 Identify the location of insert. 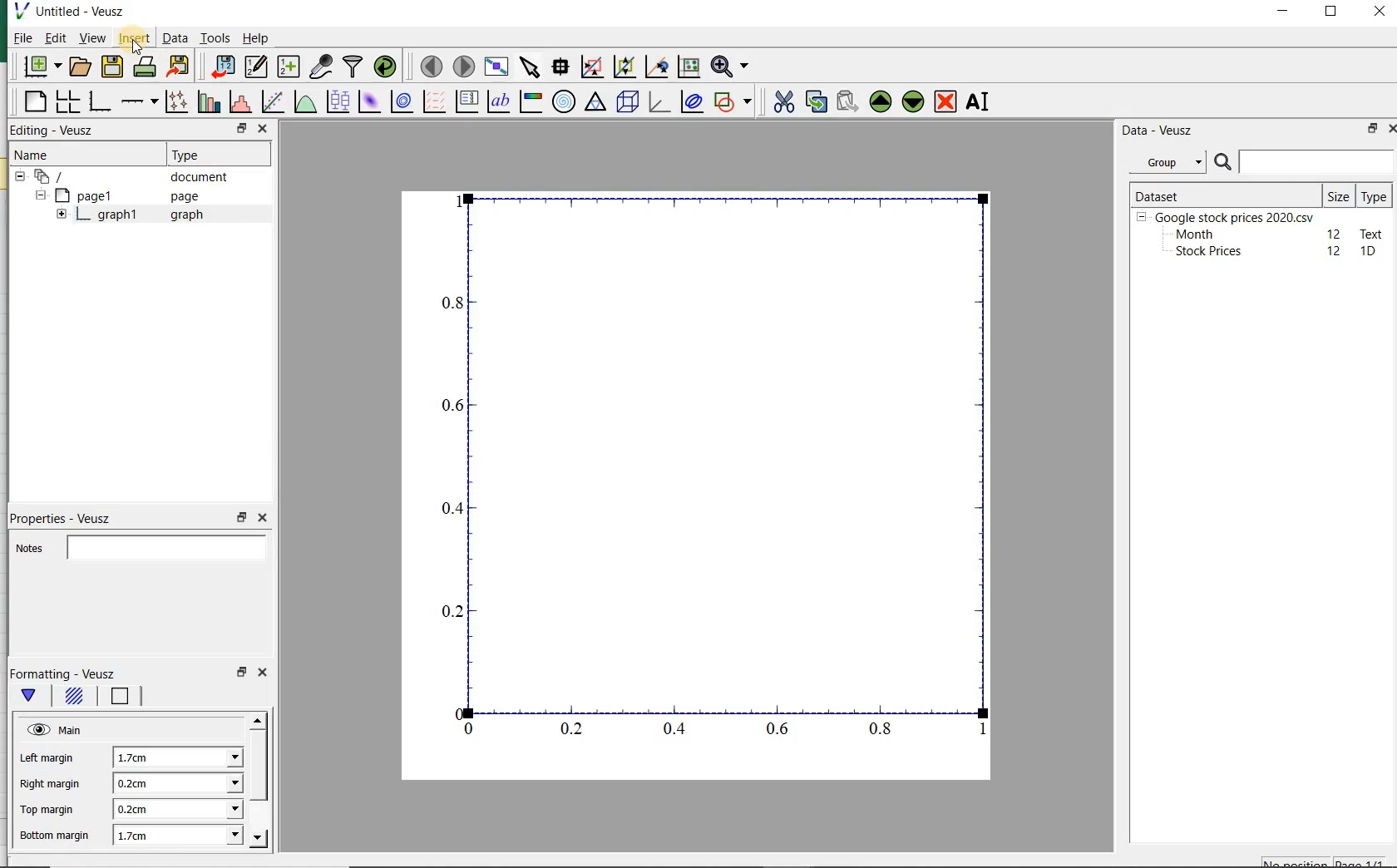
(134, 39).